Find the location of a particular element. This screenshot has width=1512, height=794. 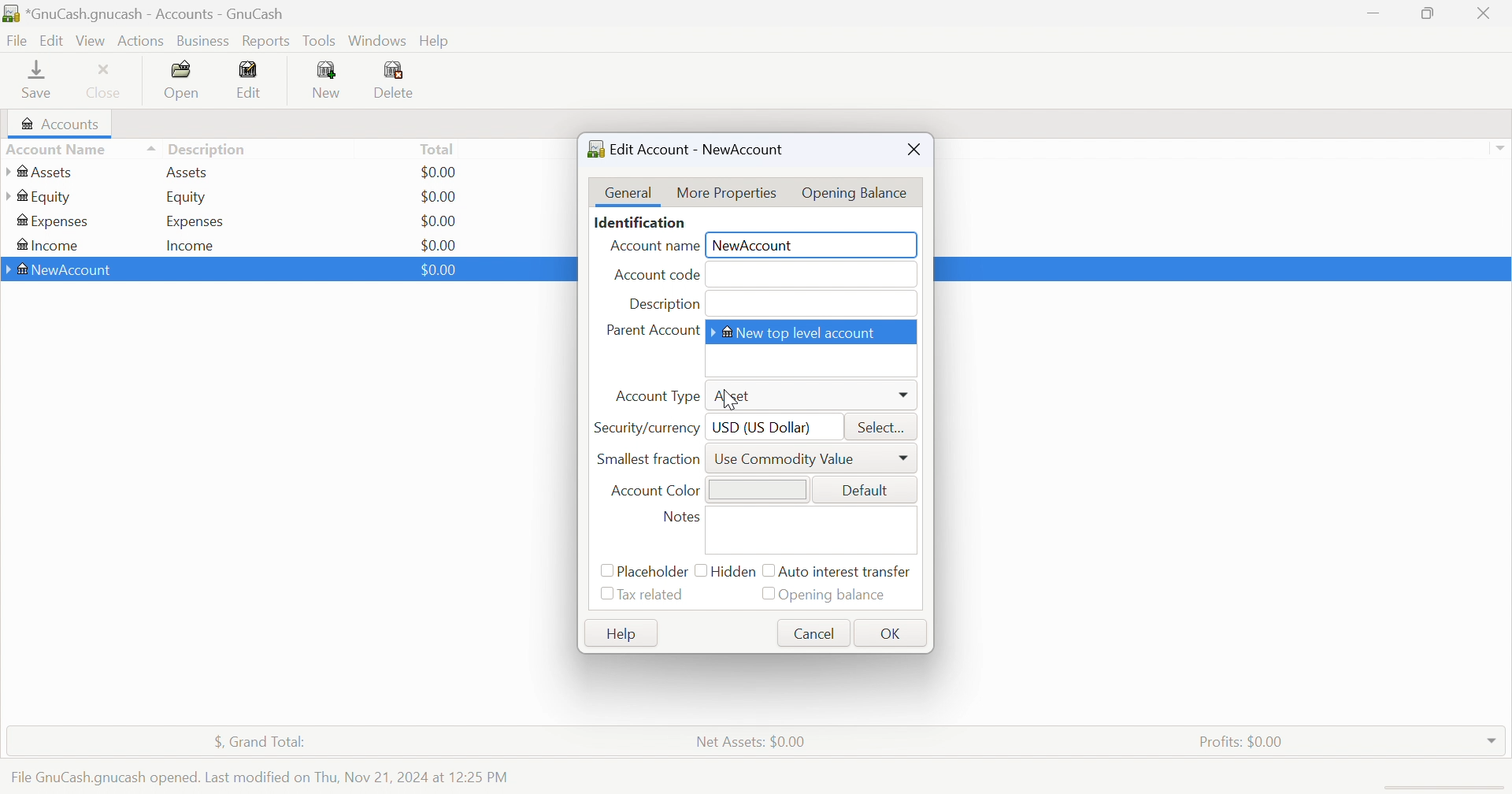

*GnuCash.gnucash - Accounts -GnuCash is located at coordinates (148, 14).